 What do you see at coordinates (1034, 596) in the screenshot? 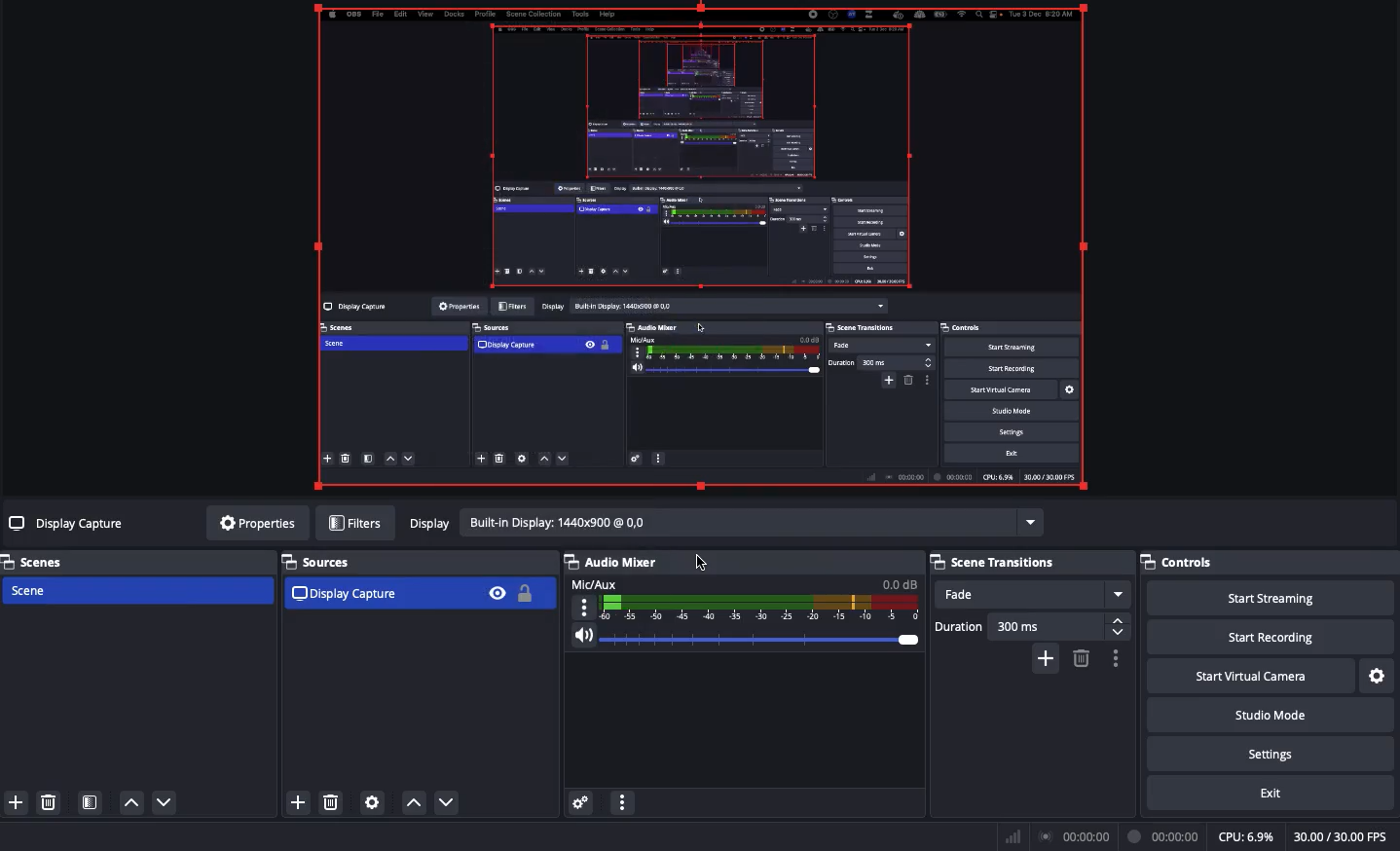
I see `Fade` at bounding box center [1034, 596].